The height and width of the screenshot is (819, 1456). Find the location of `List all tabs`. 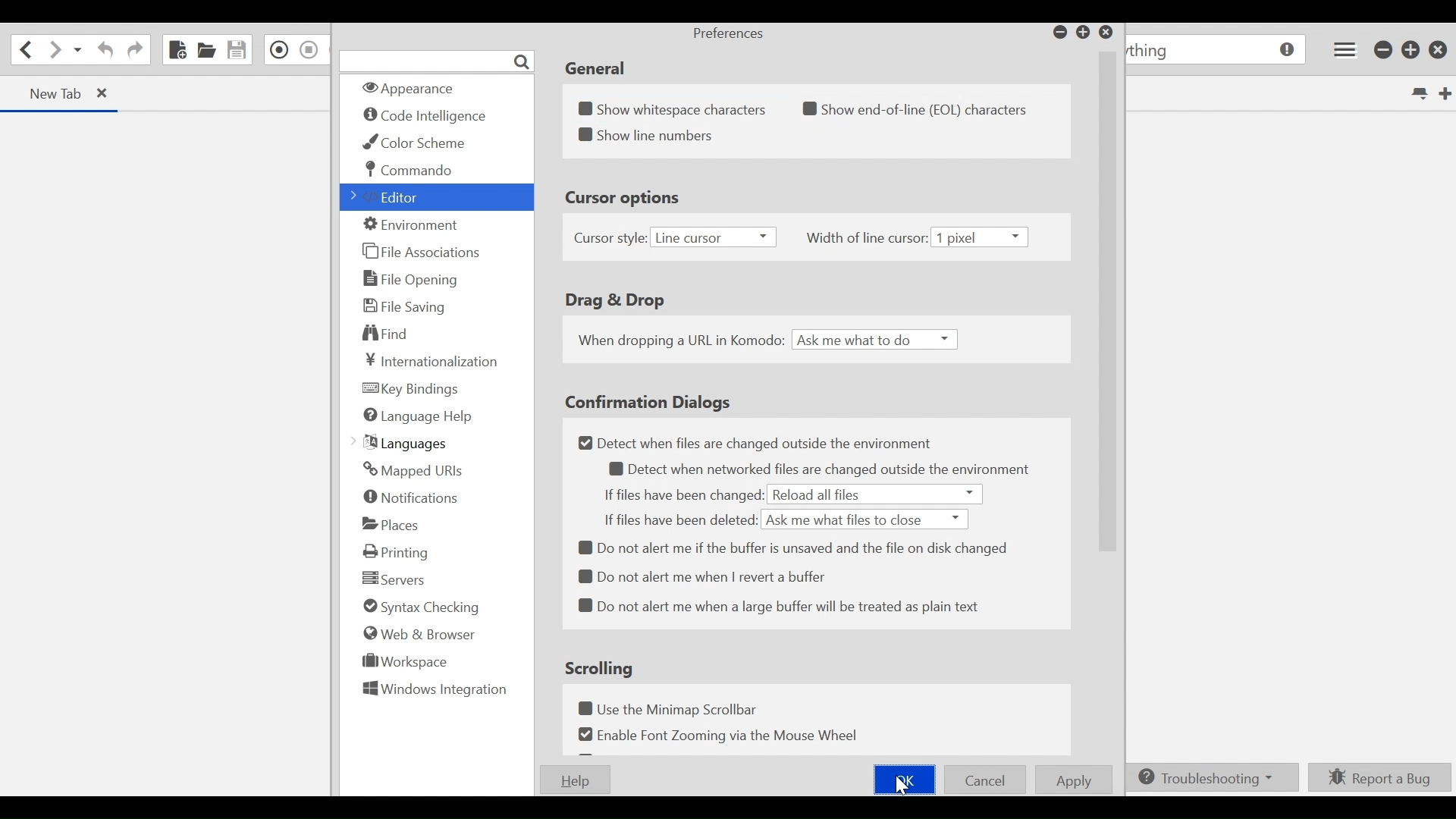

List all tabs is located at coordinates (1418, 92).